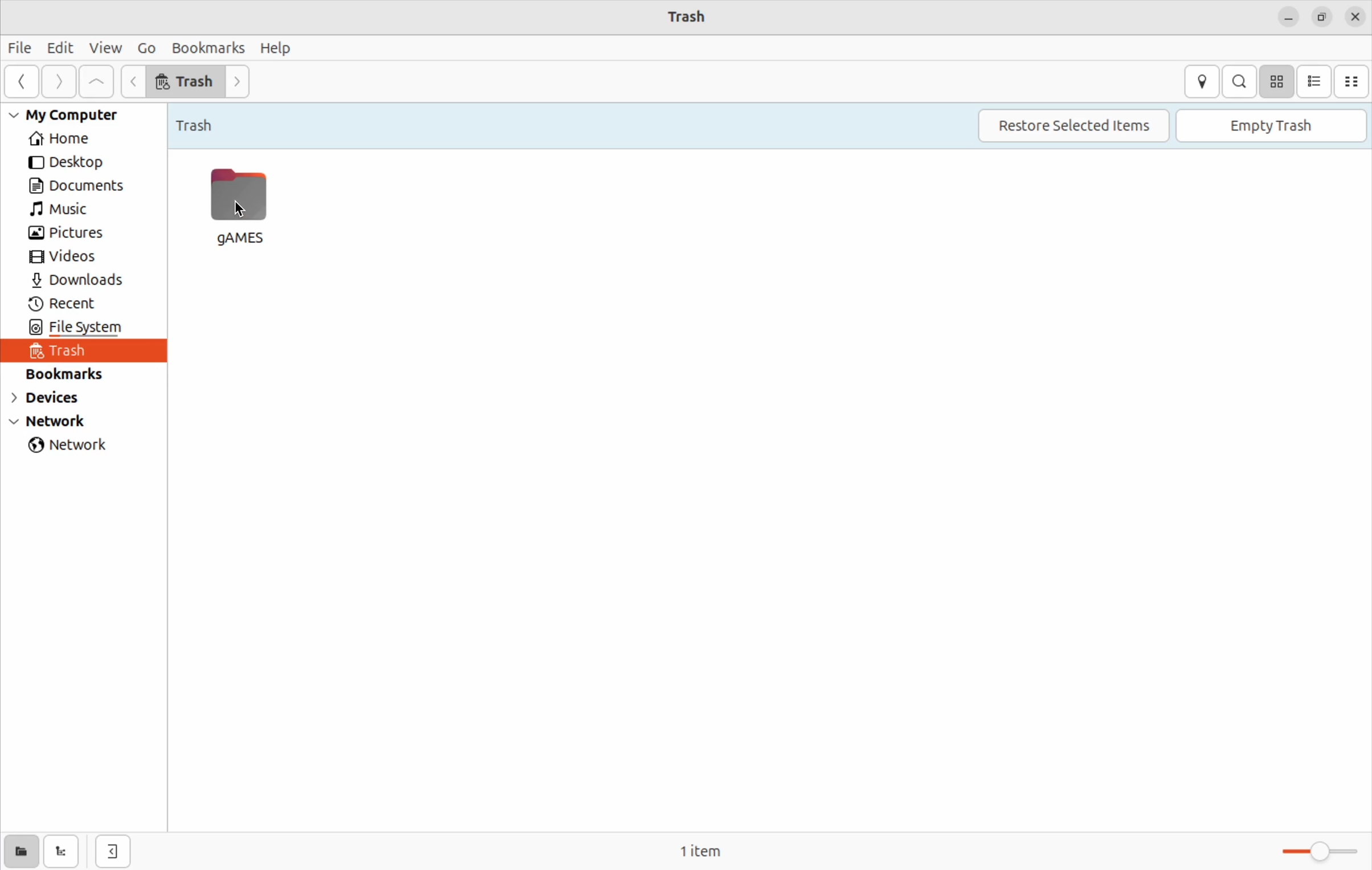 The image size is (1372, 870). Describe the element at coordinates (1321, 18) in the screenshot. I see `resize` at that location.